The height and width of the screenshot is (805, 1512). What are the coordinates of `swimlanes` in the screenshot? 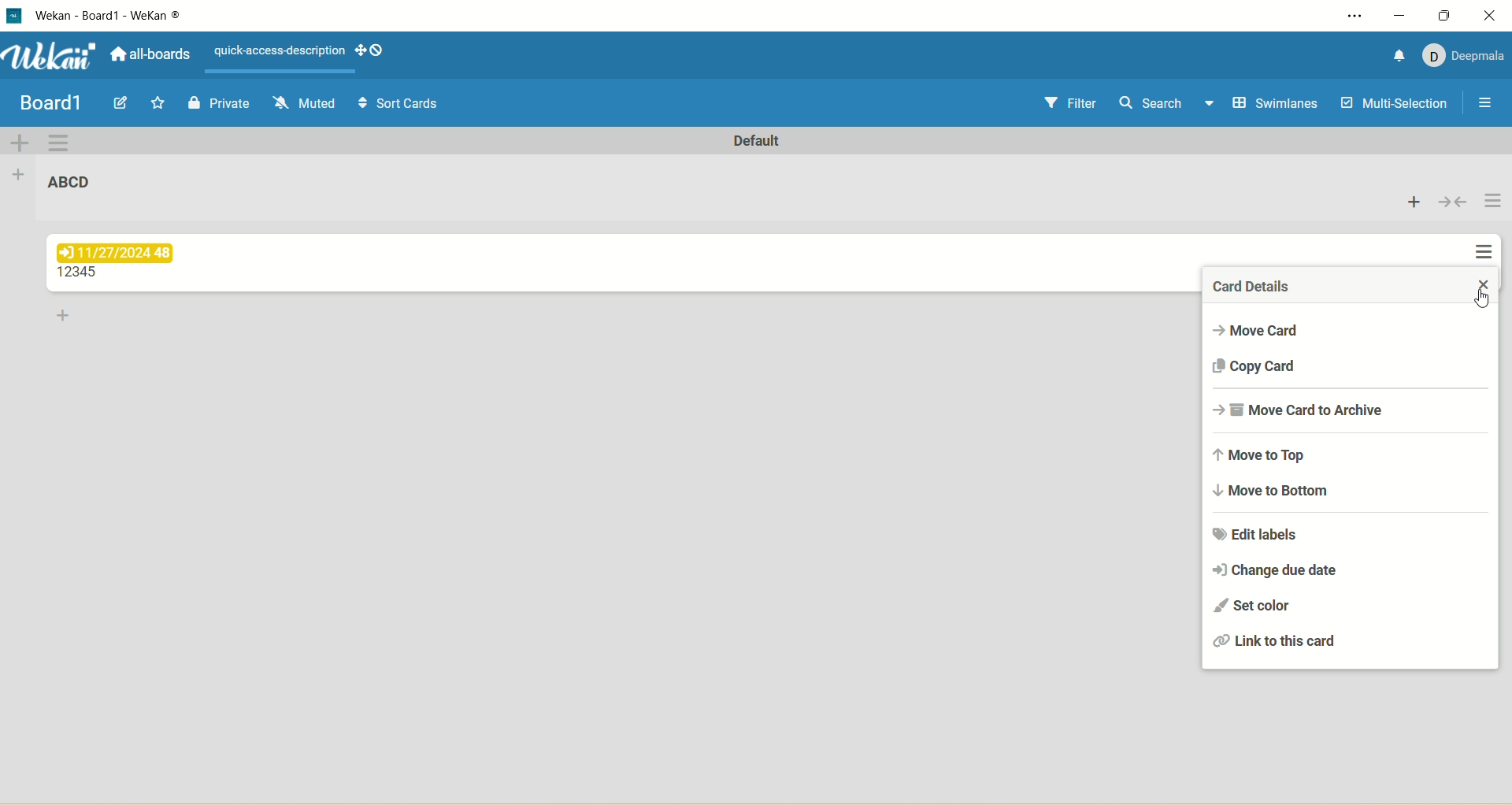 It's located at (1279, 104).